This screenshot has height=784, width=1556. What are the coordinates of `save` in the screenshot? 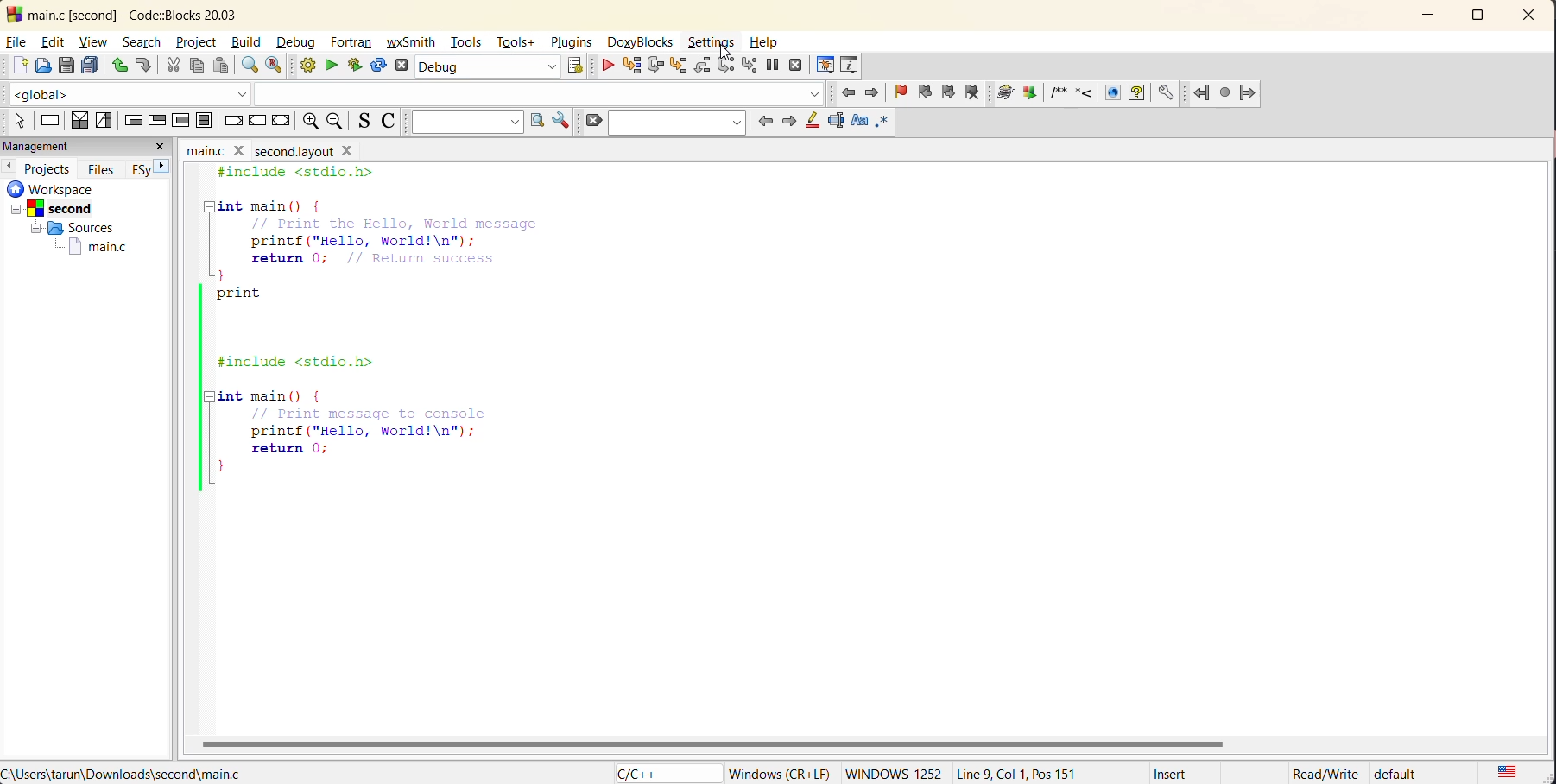 It's located at (66, 66).